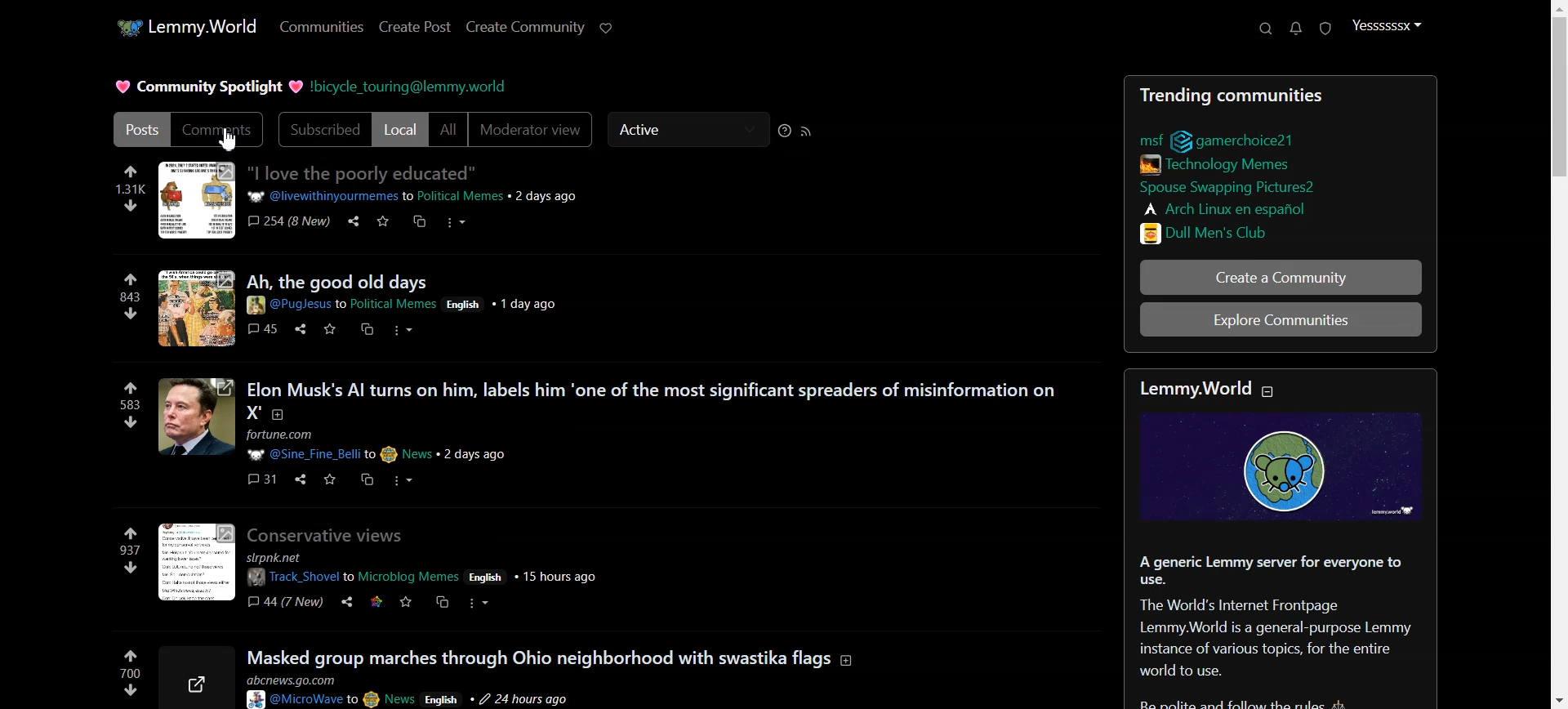  I want to click on image, so click(195, 201).